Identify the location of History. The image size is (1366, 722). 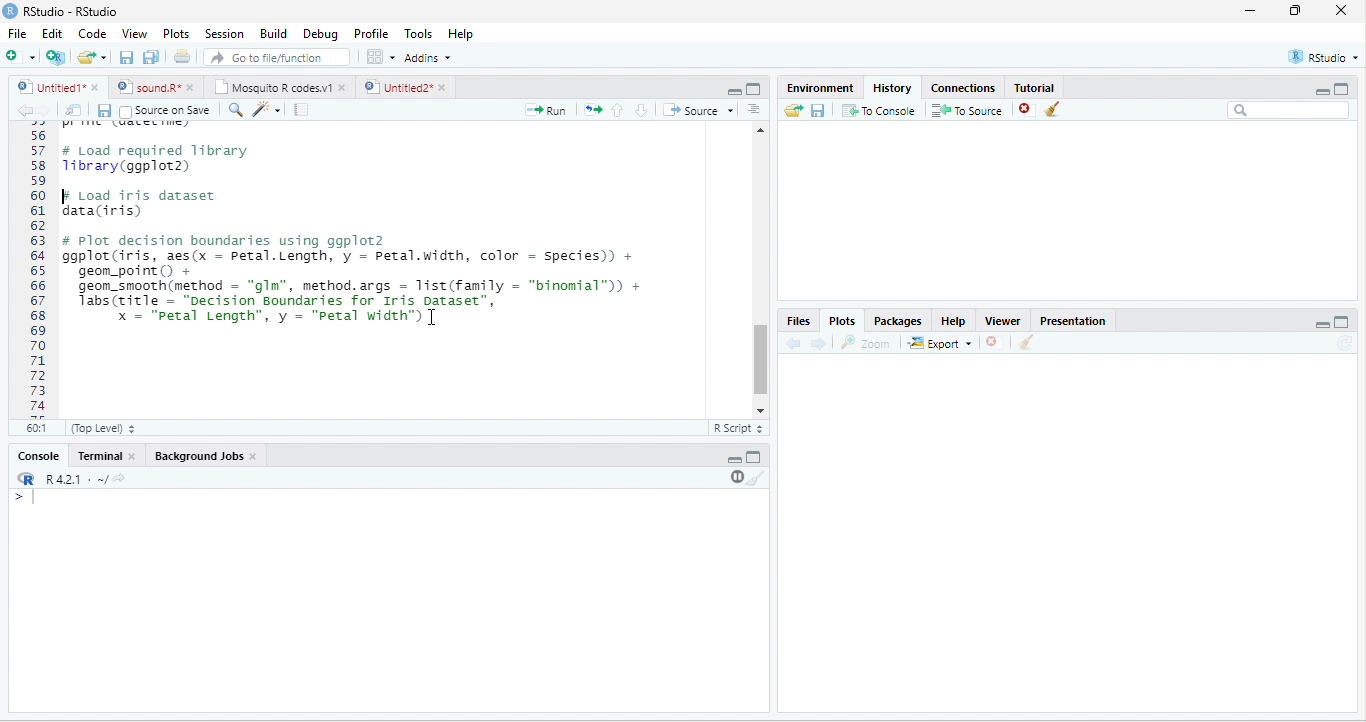
(892, 88).